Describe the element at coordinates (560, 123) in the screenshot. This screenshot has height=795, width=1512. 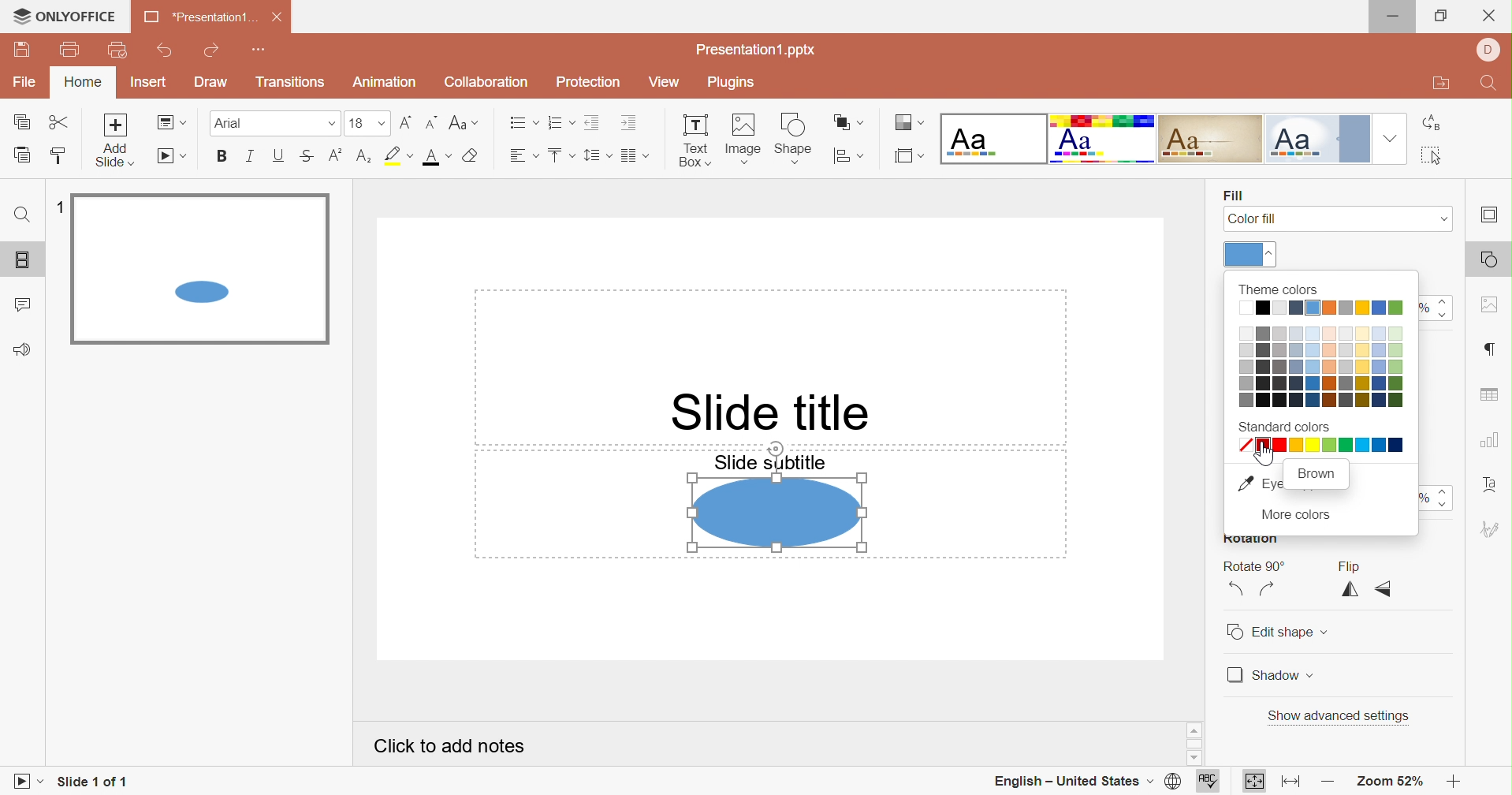
I see `Numbering` at that location.